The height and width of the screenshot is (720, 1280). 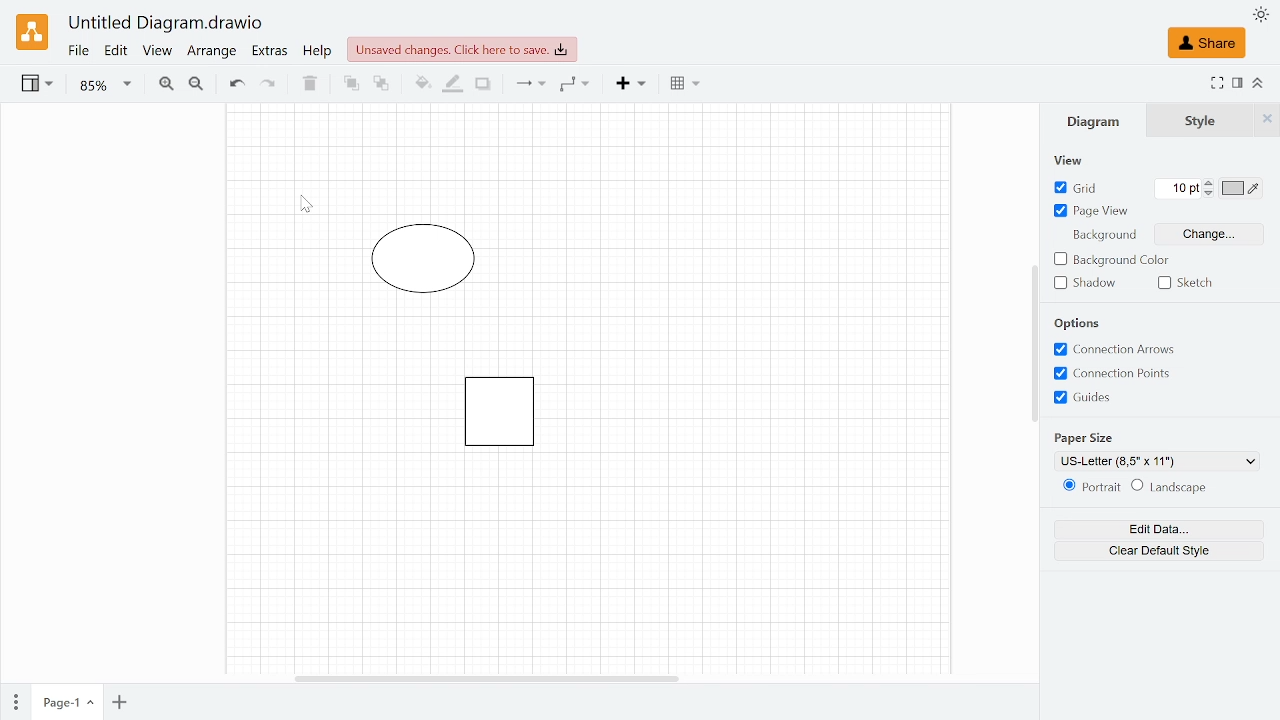 I want to click on Background color, so click(x=1111, y=260).